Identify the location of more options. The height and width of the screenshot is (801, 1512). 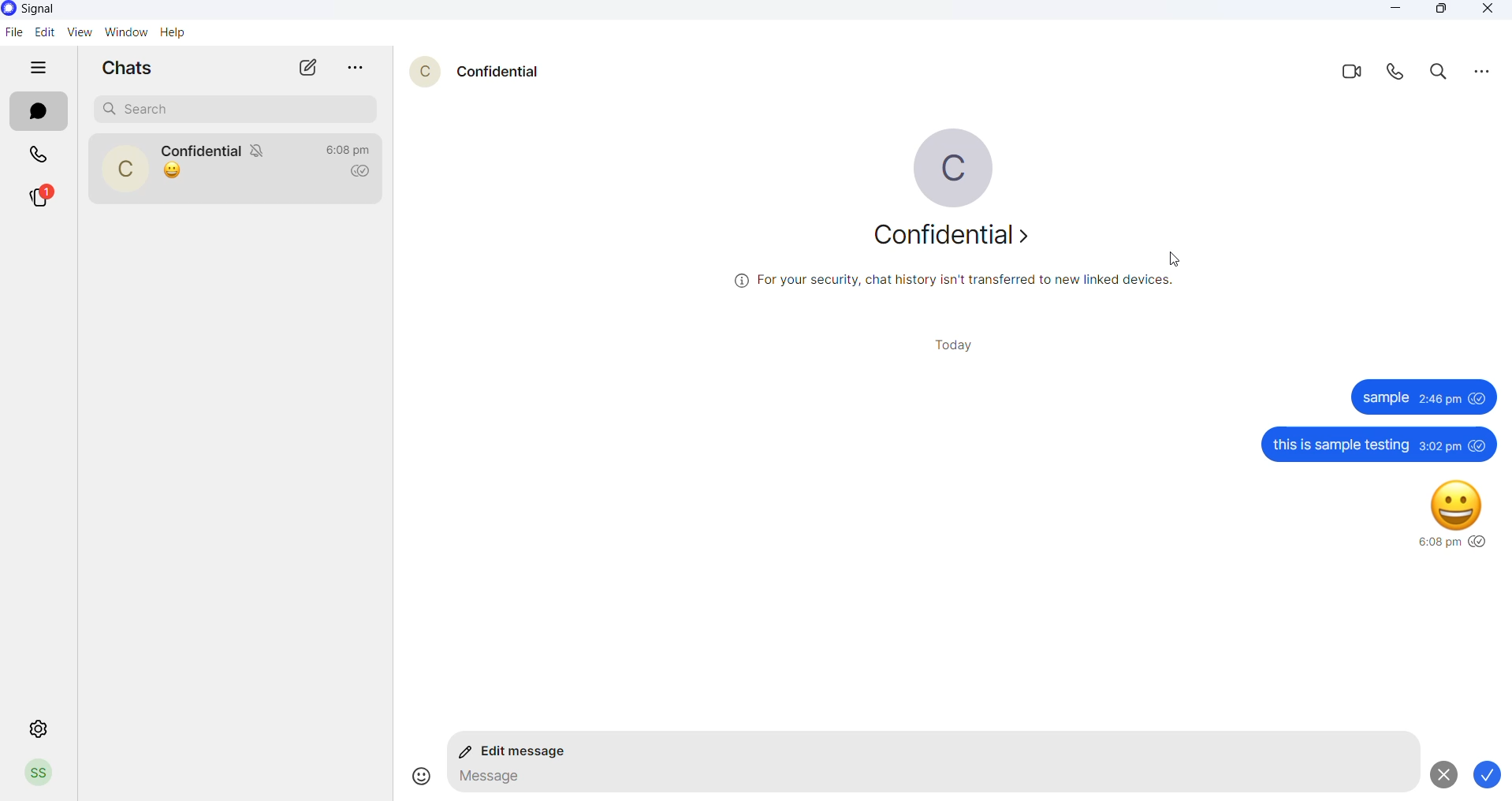
(359, 68).